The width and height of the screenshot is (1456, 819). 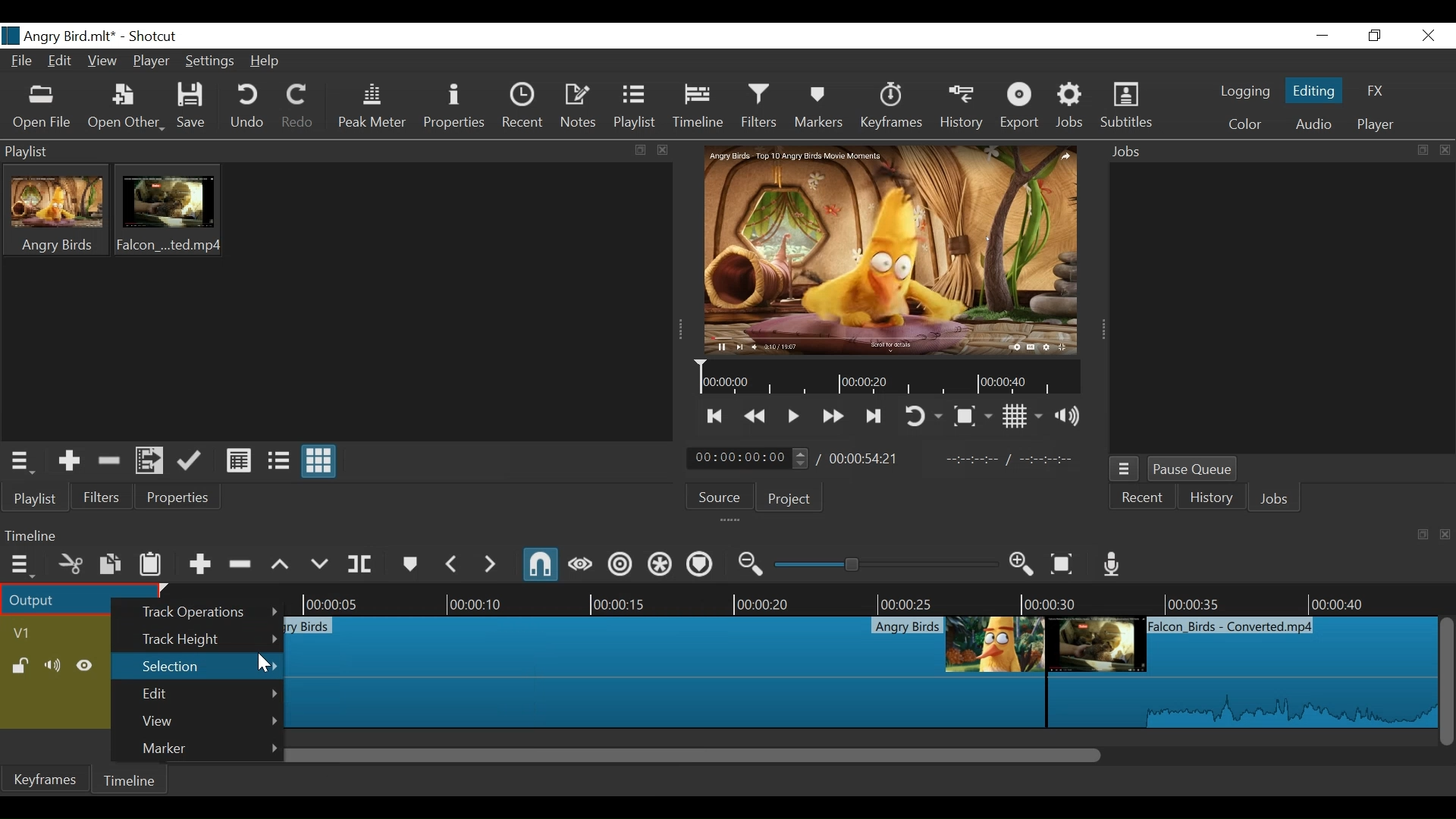 What do you see at coordinates (43, 108) in the screenshot?
I see `Open File` at bounding box center [43, 108].